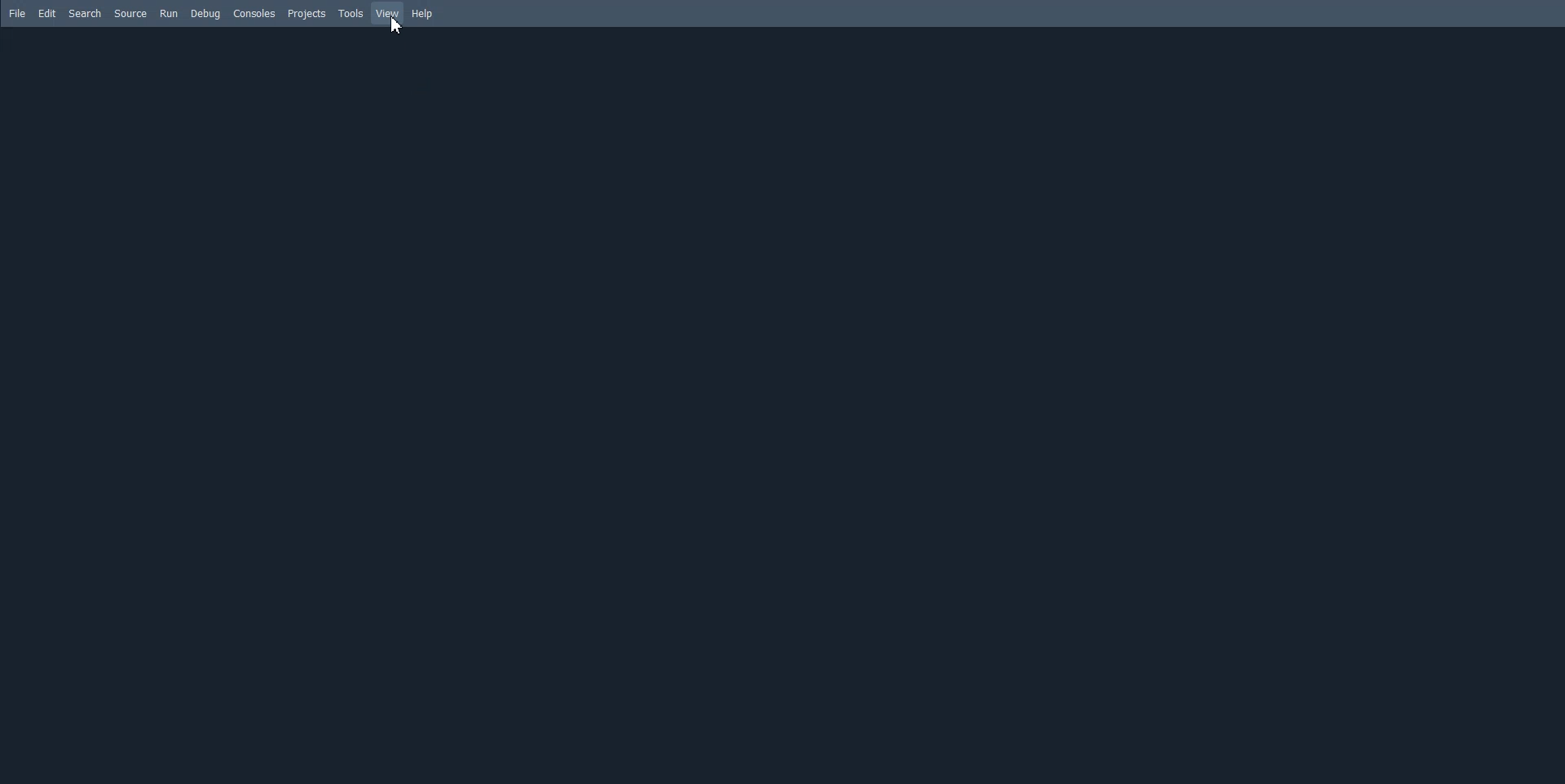 This screenshot has width=1565, height=784. I want to click on Run, so click(169, 14).